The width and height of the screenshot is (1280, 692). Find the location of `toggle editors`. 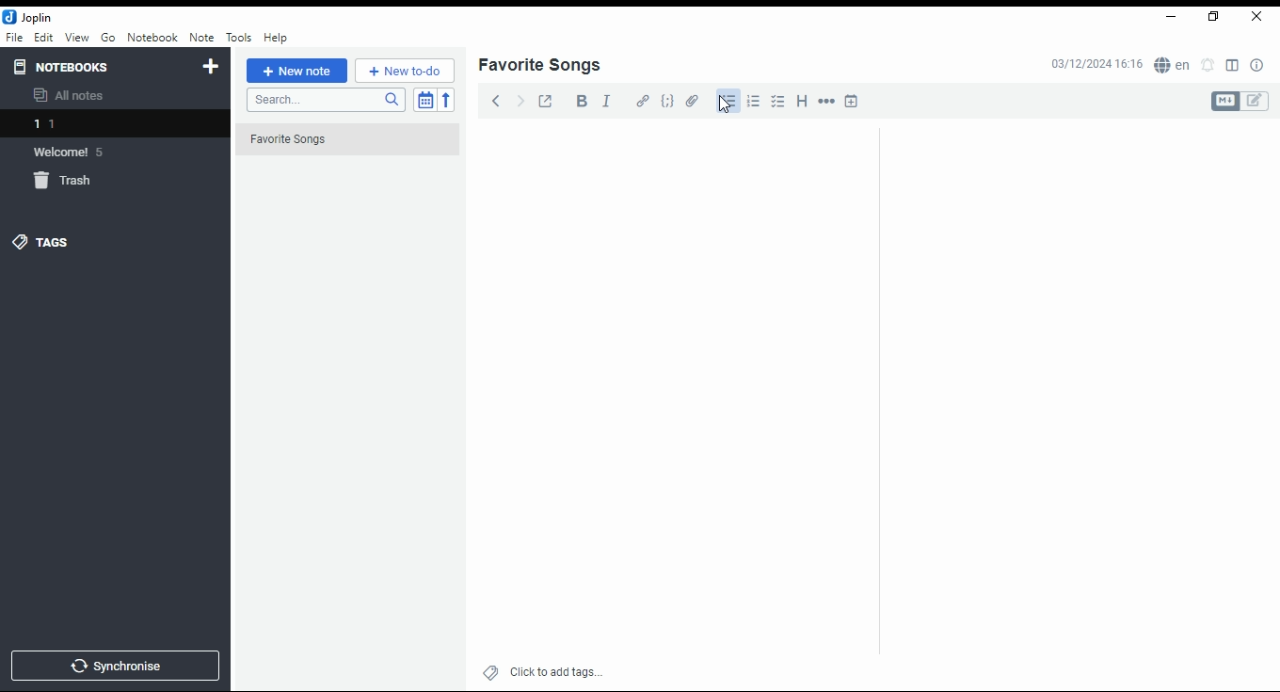

toggle editors is located at coordinates (1240, 101).